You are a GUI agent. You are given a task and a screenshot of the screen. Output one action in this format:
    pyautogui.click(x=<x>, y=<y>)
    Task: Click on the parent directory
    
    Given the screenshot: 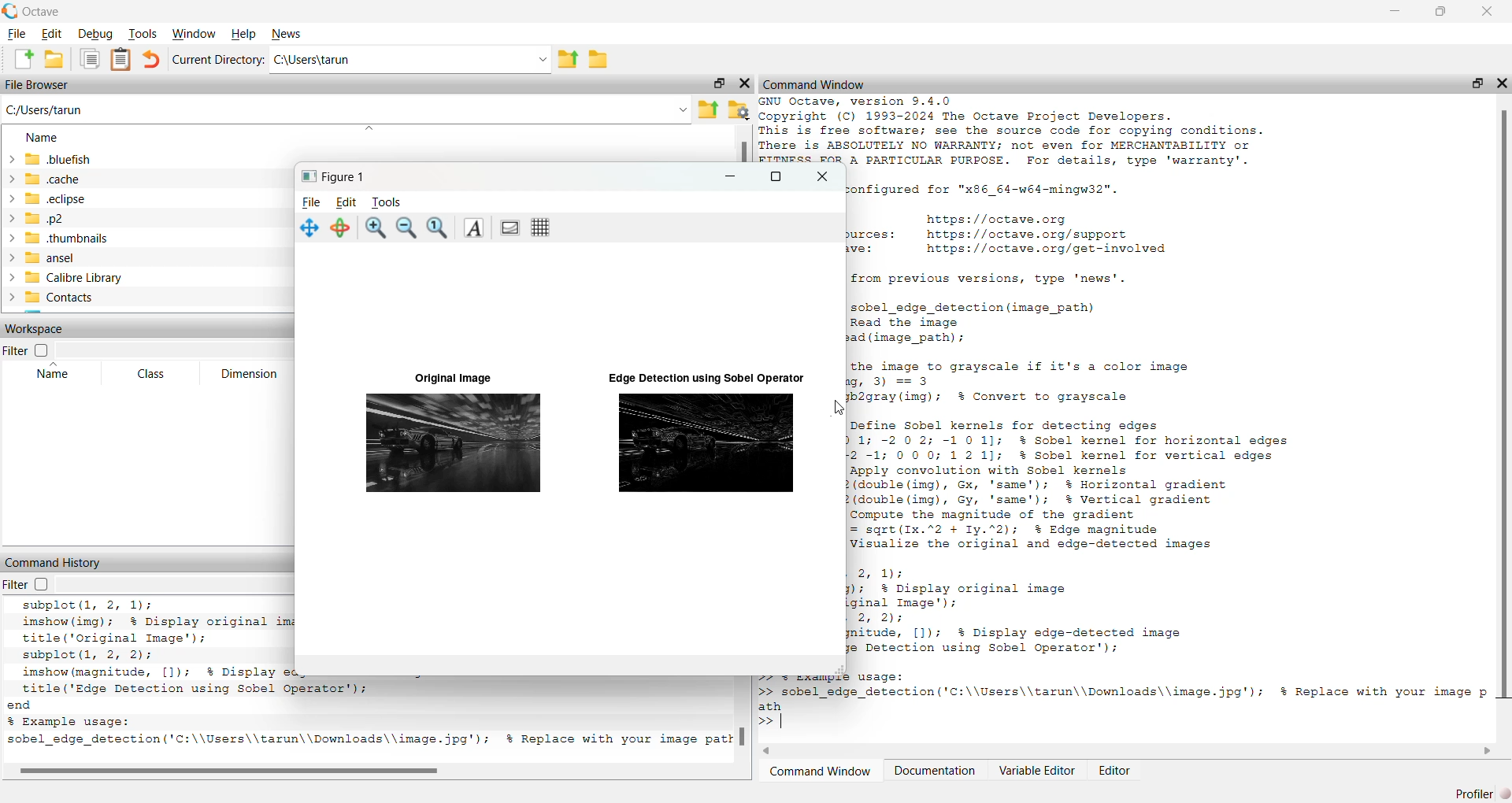 What is the action you would take?
    pyautogui.click(x=708, y=108)
    